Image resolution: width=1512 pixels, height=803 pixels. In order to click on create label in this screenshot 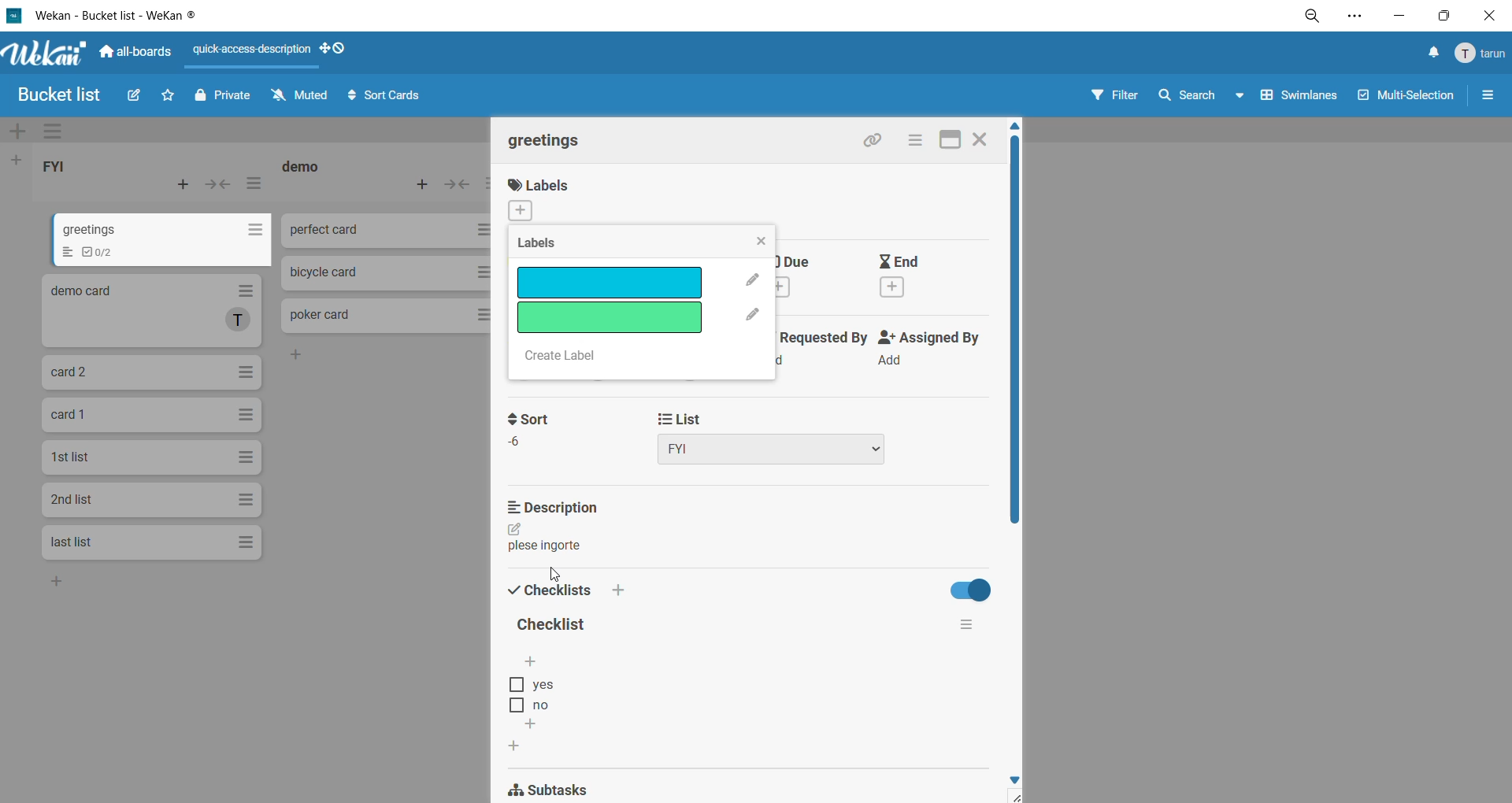, I will do `click(567, 360)`.